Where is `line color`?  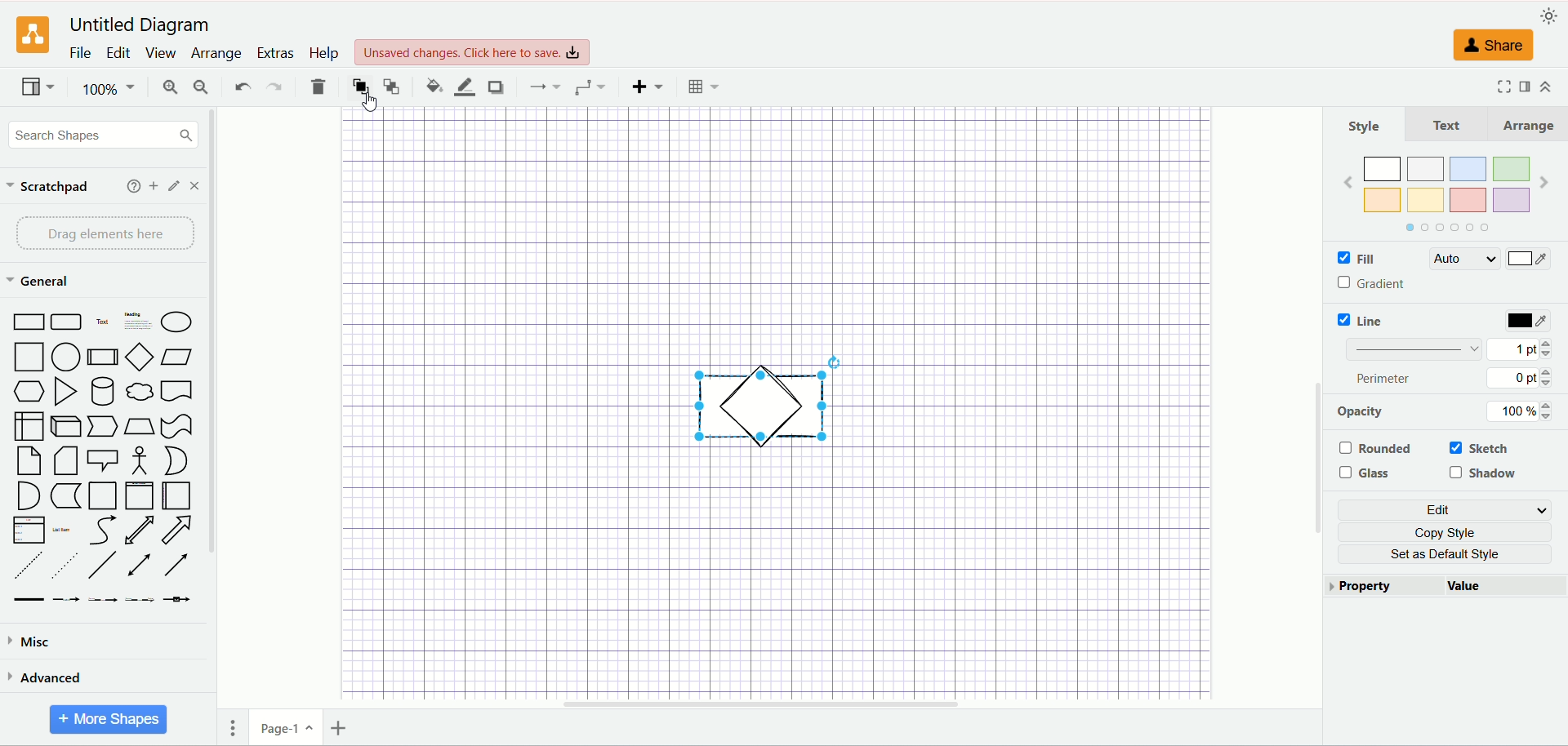 line color is located at coordinates (465, 87).